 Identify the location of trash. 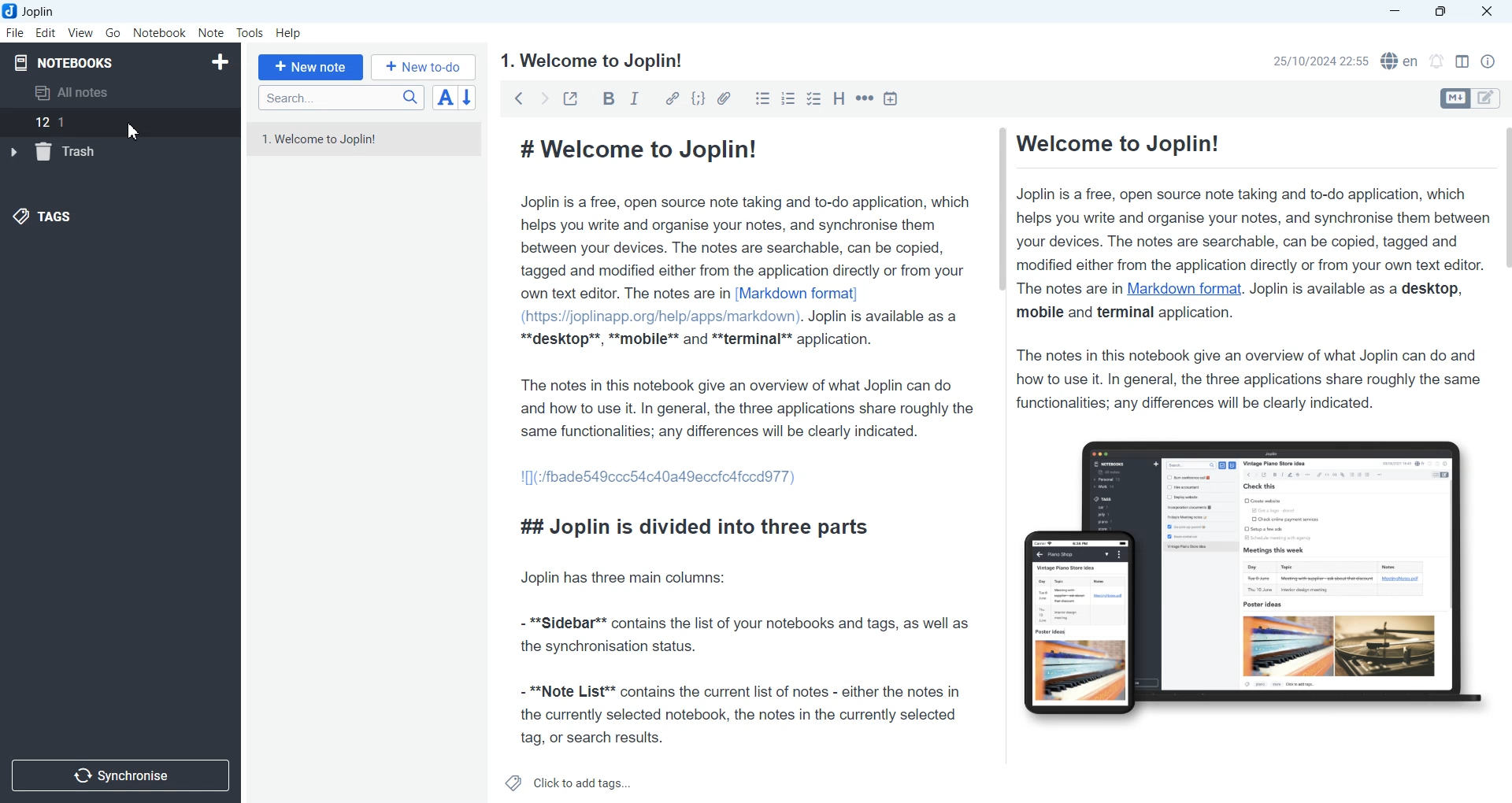
(56, 157).